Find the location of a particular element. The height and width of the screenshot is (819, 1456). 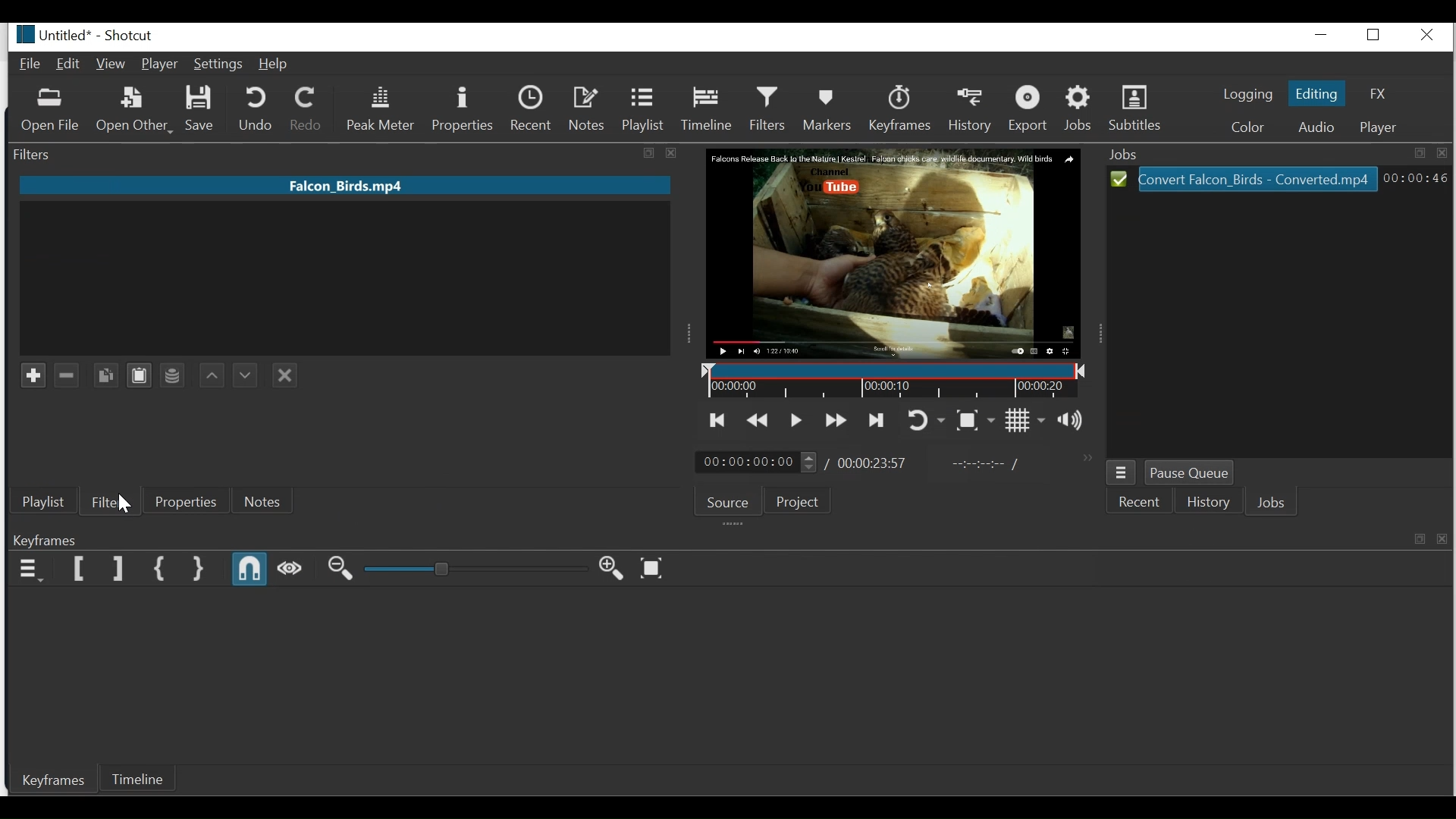

Play quickly backward is located at coordinates (757, 421).